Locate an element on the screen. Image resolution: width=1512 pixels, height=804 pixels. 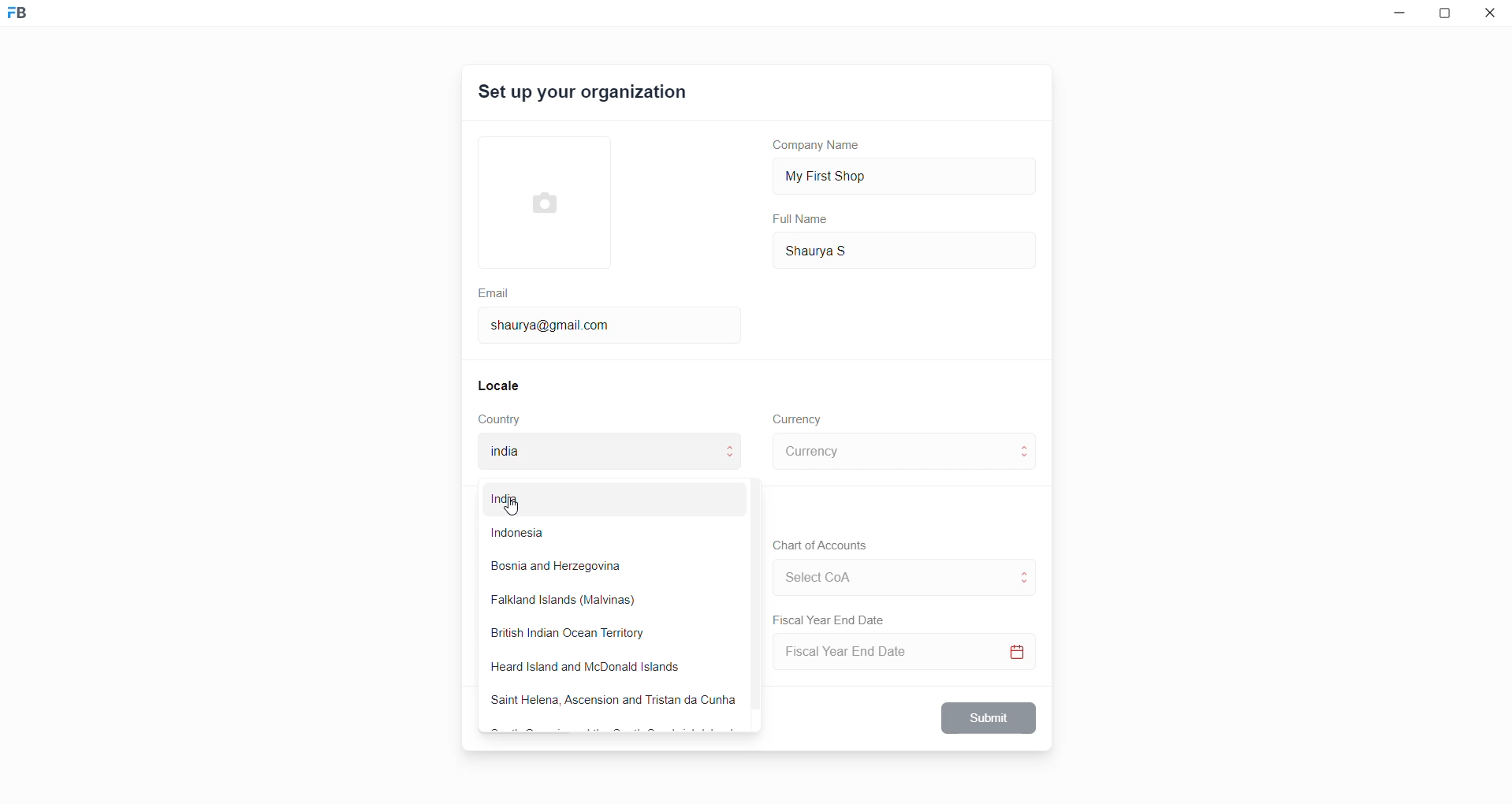
close is located at coordinates (1491, 16).